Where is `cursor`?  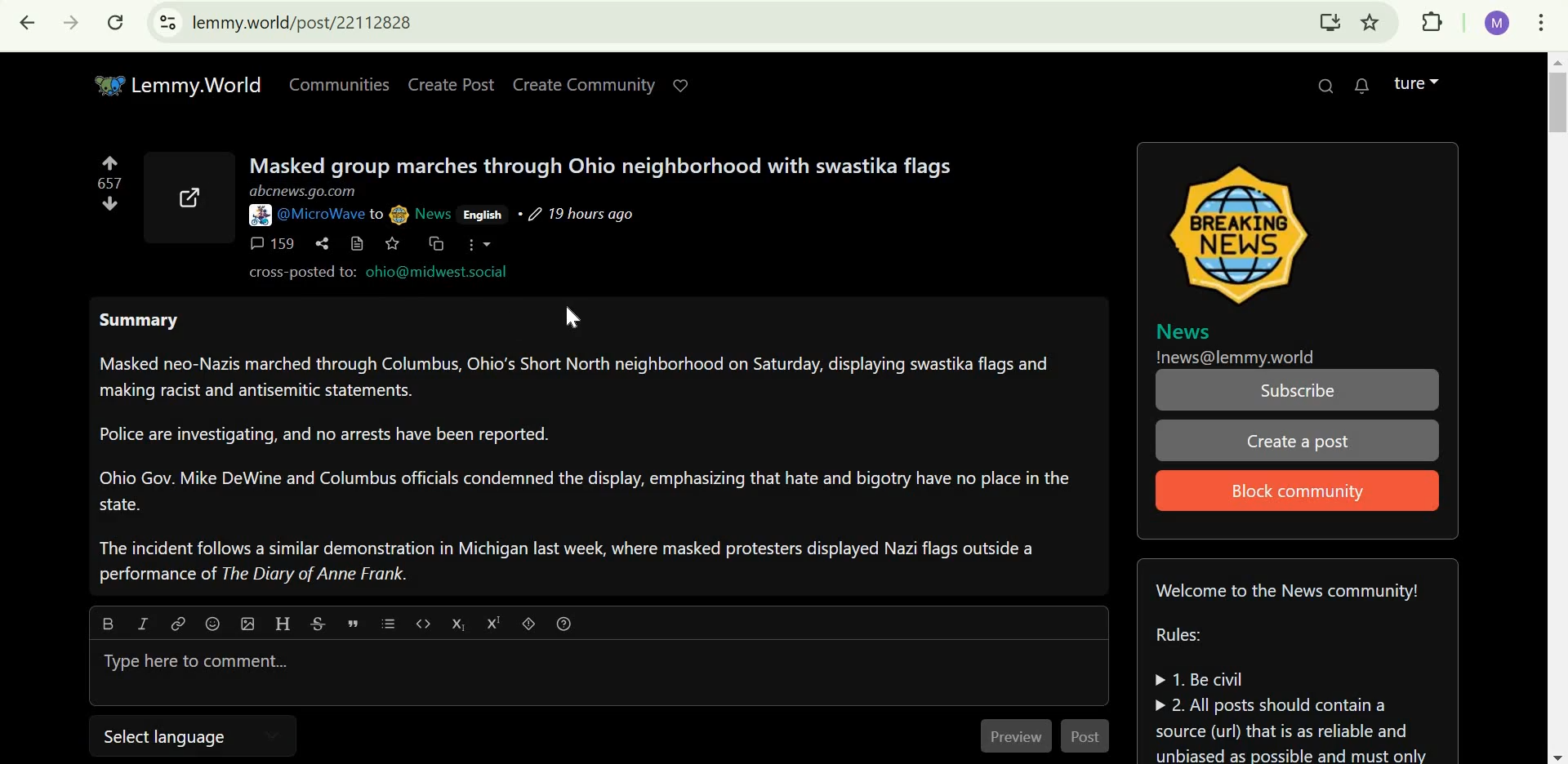 cursor is located at coordinates (570, 320).